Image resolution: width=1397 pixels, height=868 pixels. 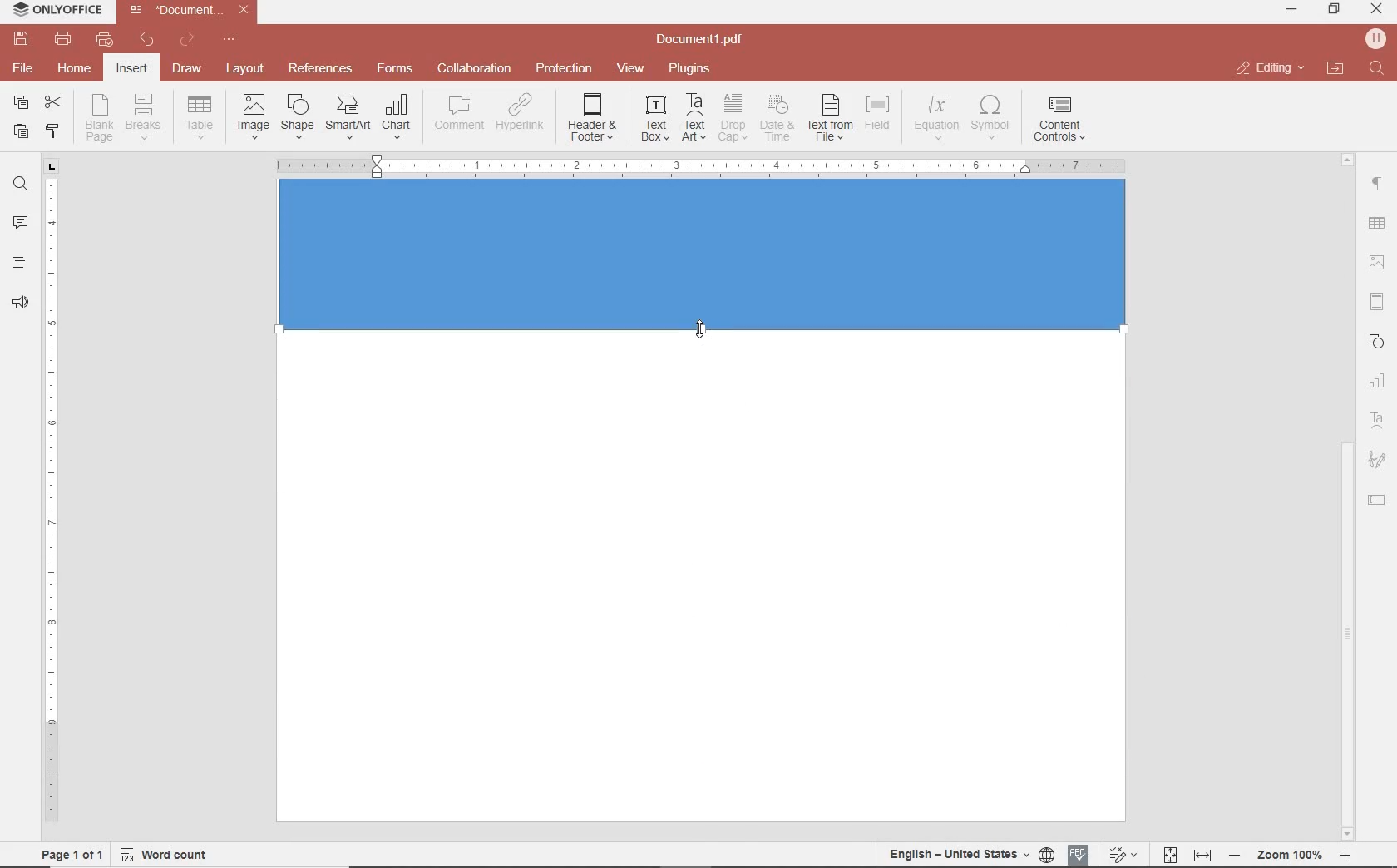 I want to click on TEXT FIELD, so click(x=1377, y=499).